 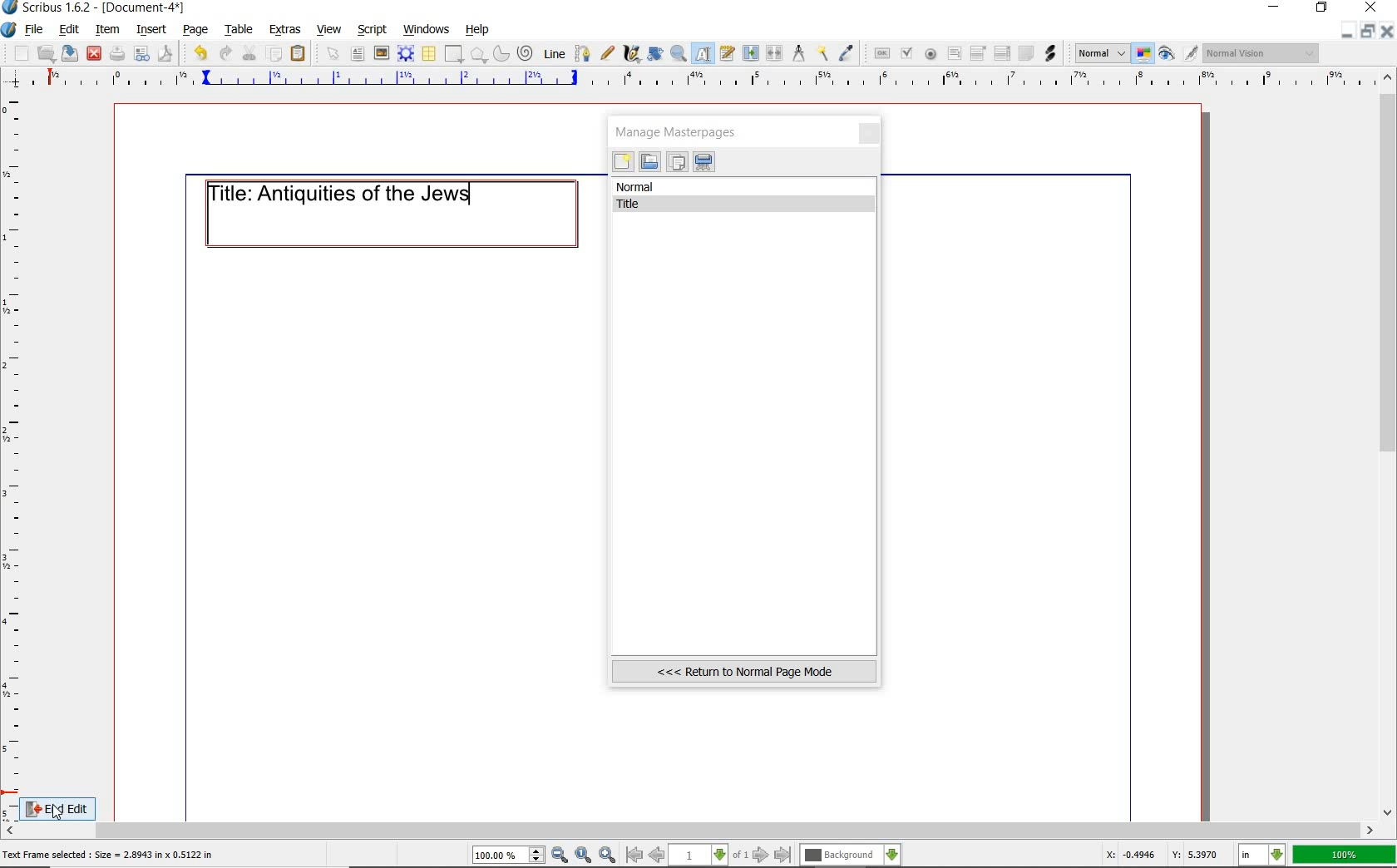 I want to click on Background, so click(x=851, y=856).